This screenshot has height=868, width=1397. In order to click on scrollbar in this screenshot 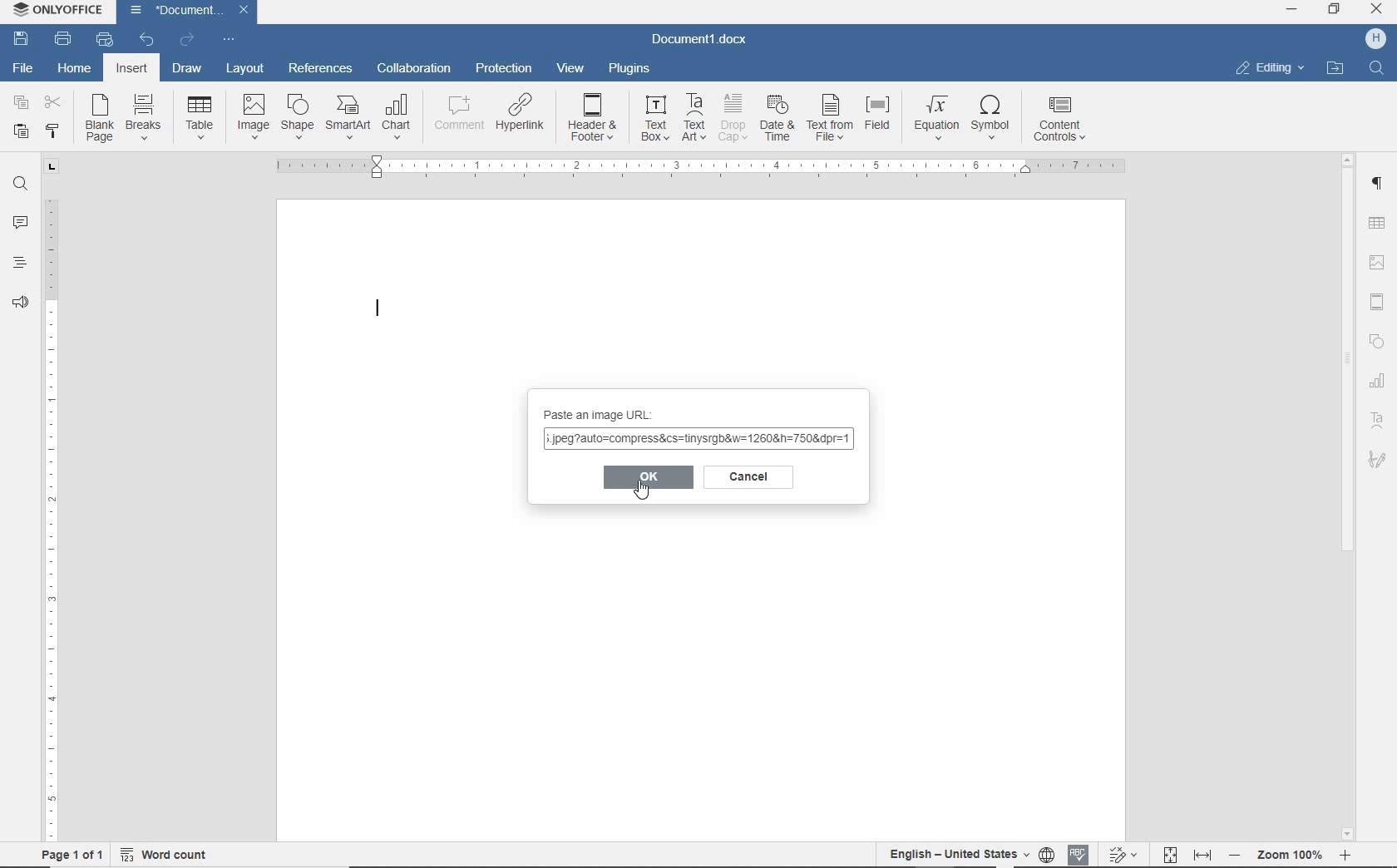, I will do `click(1346, 497)`.